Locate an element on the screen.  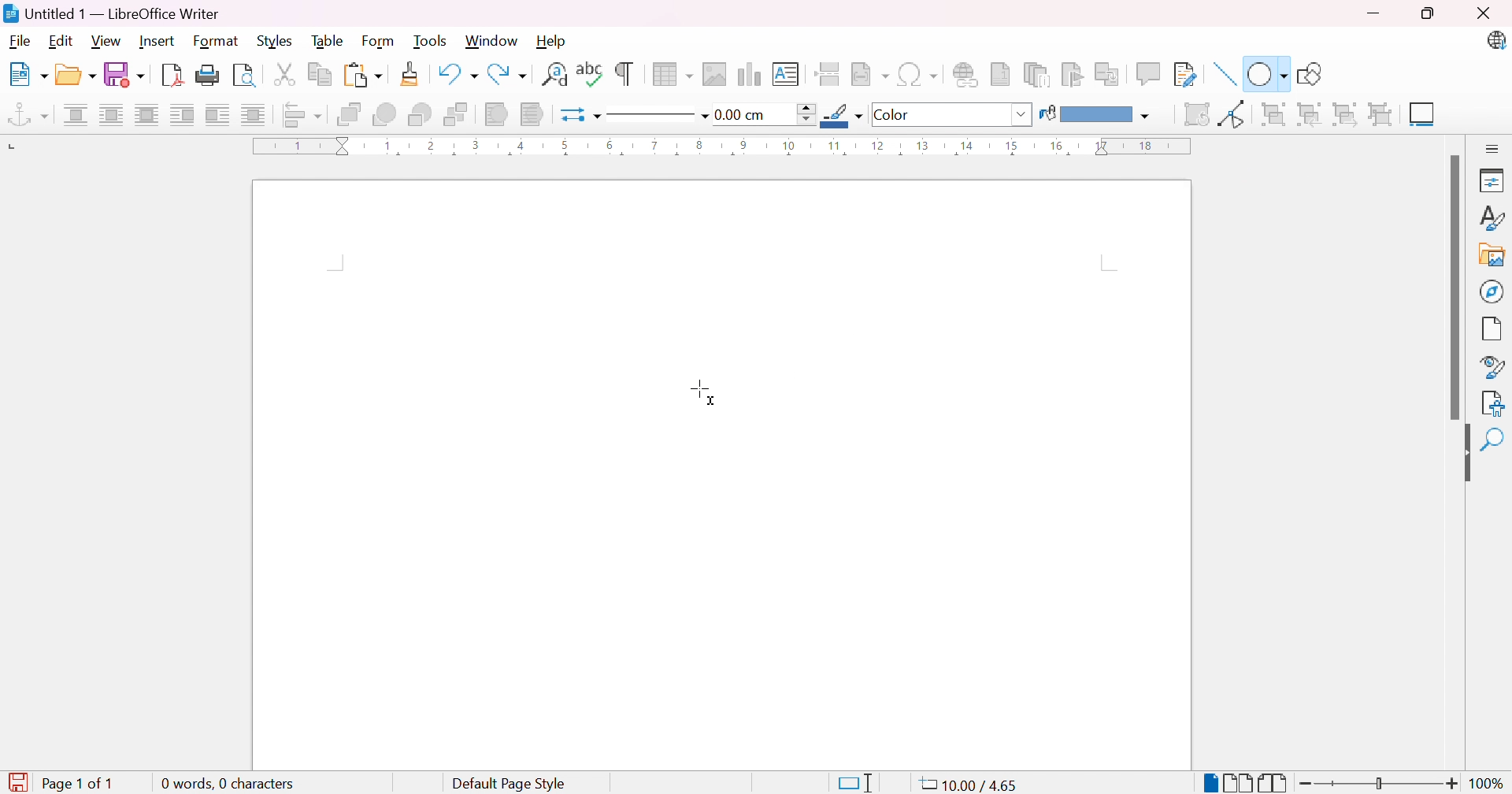
New is located at coordinates (28, 75).